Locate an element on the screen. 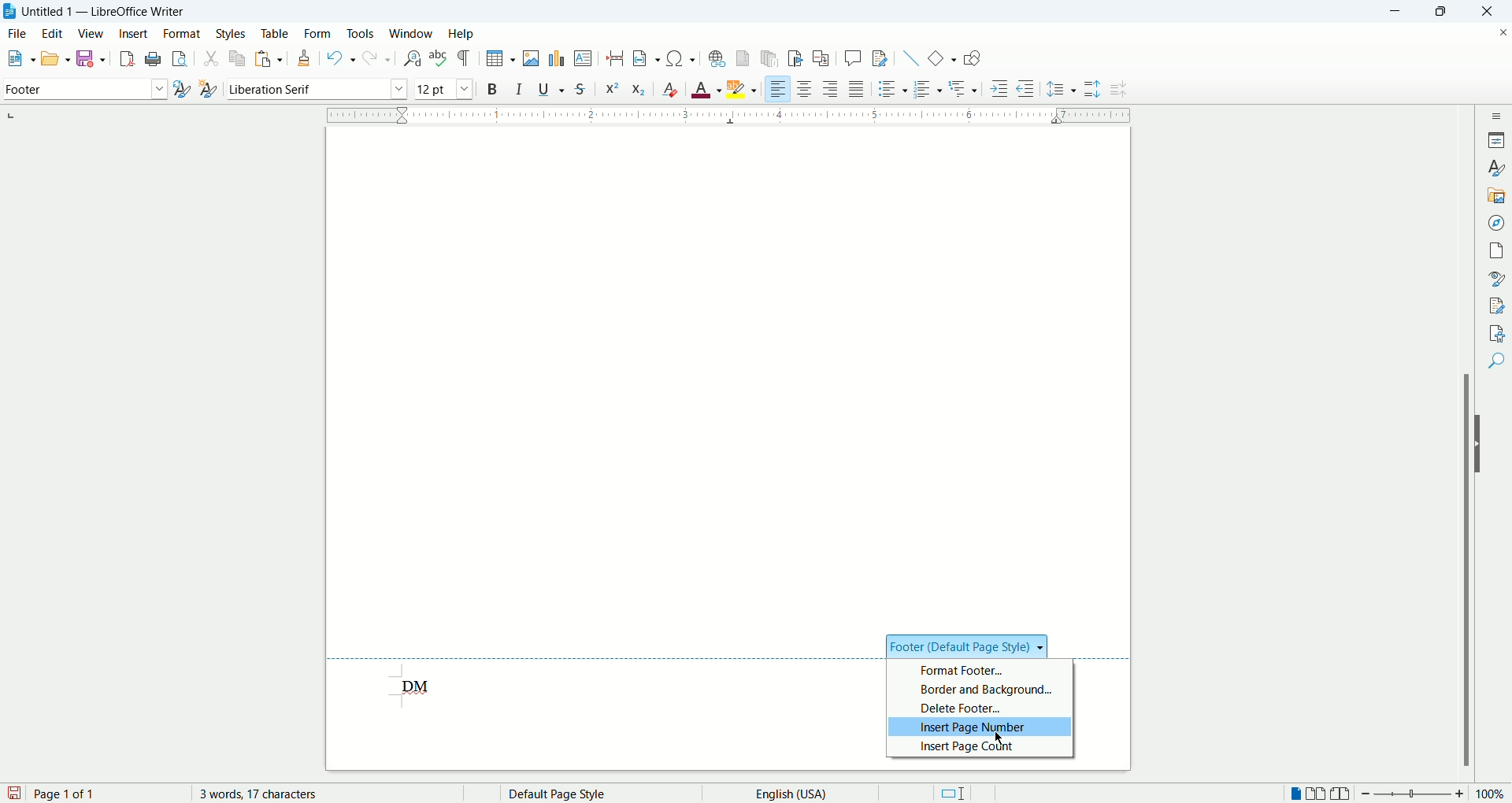  close document is located at coordinates (1499, 31).